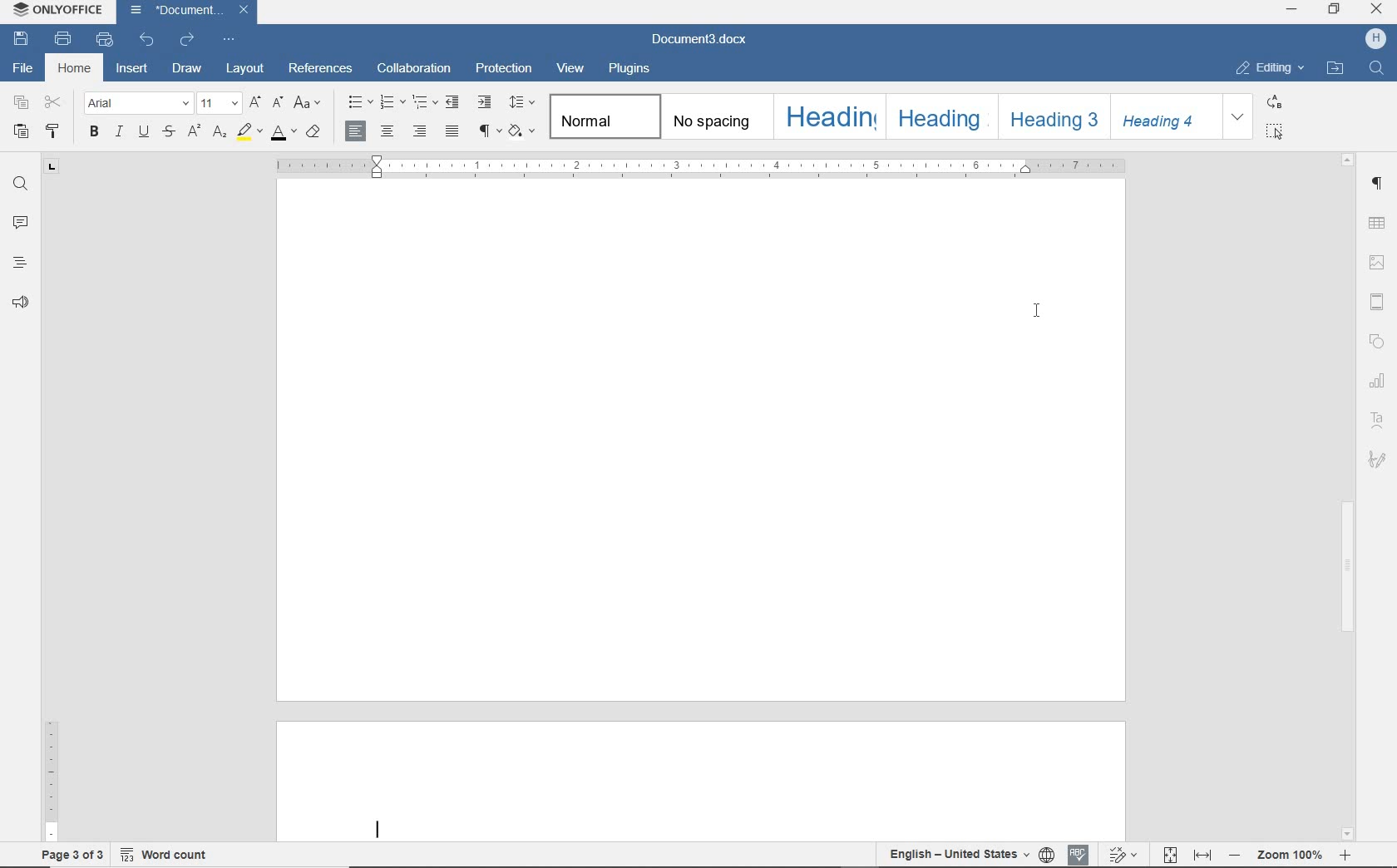 The image size is (1397, 868). What do you see at coordinates (1281, 132) in the screenshot?
I see `SELECT ALL` at bounding box center [1281, 132].